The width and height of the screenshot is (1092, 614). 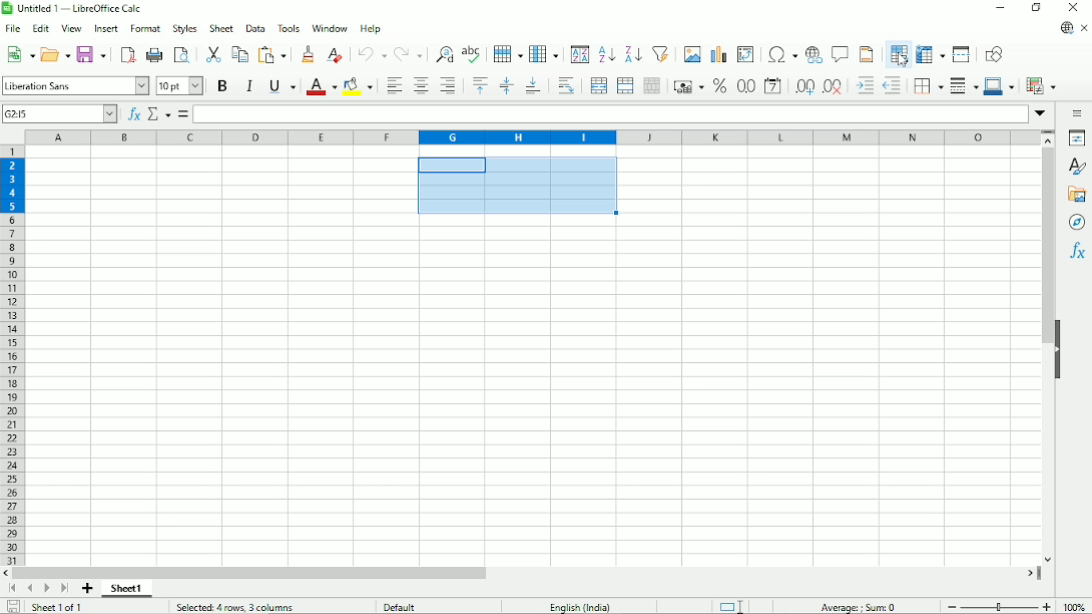 I want to click on Cursor, so click(x=902, y=60).